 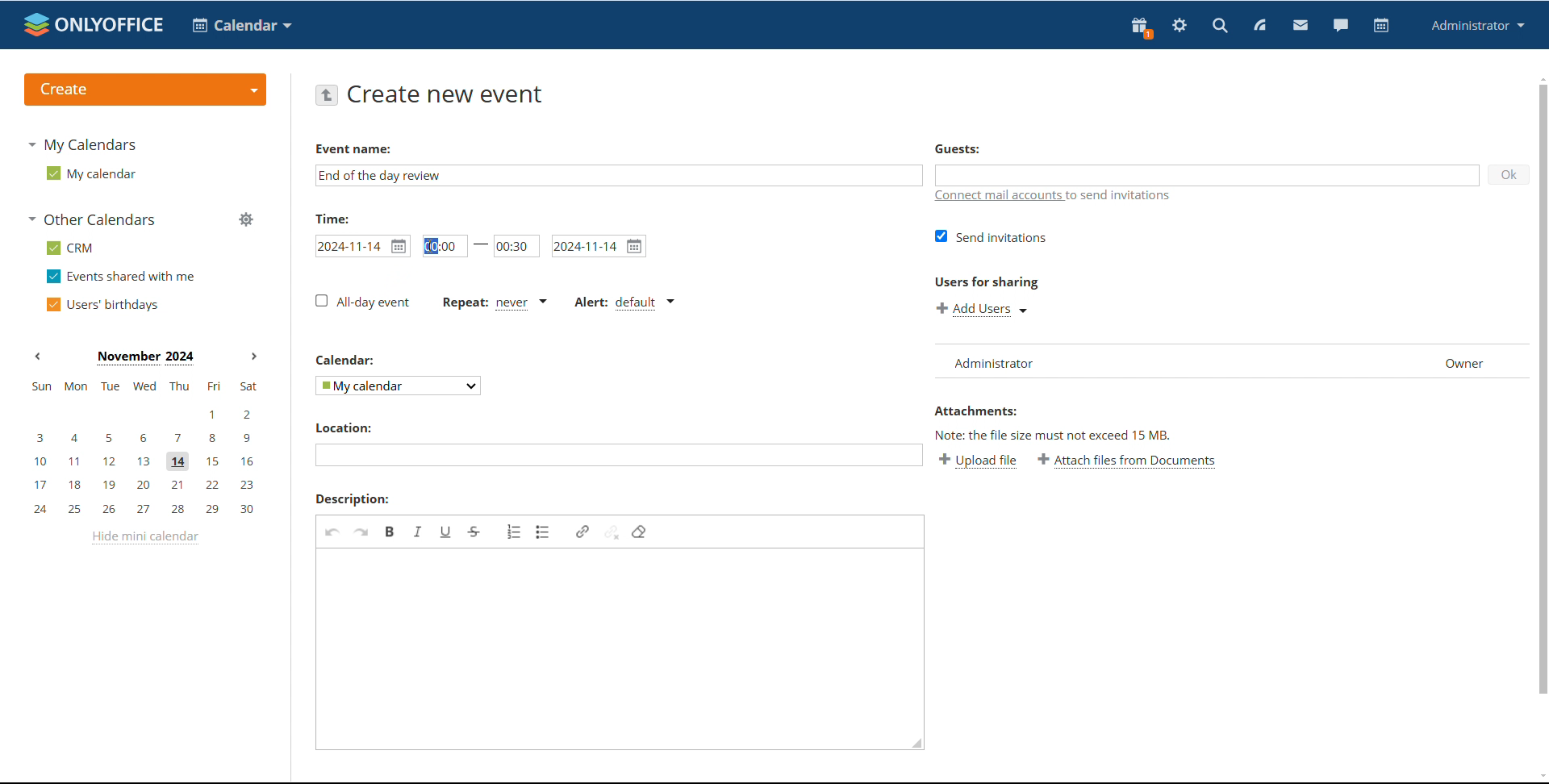 I want to click on insert/remove bulleted list, so click(x=544, y=532).